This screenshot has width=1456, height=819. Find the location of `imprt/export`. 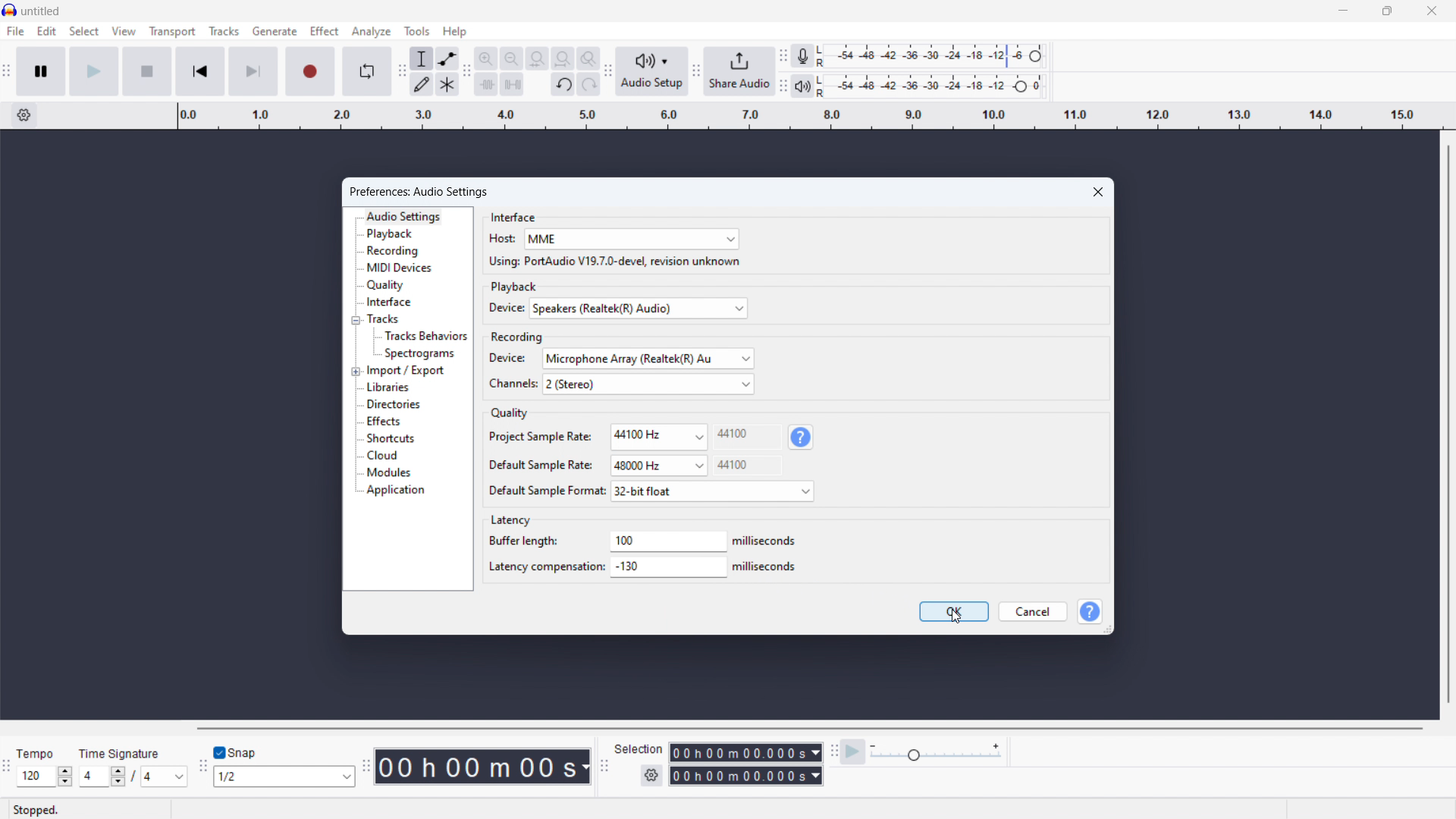

imprt/export is located at coordinates (406, 371).